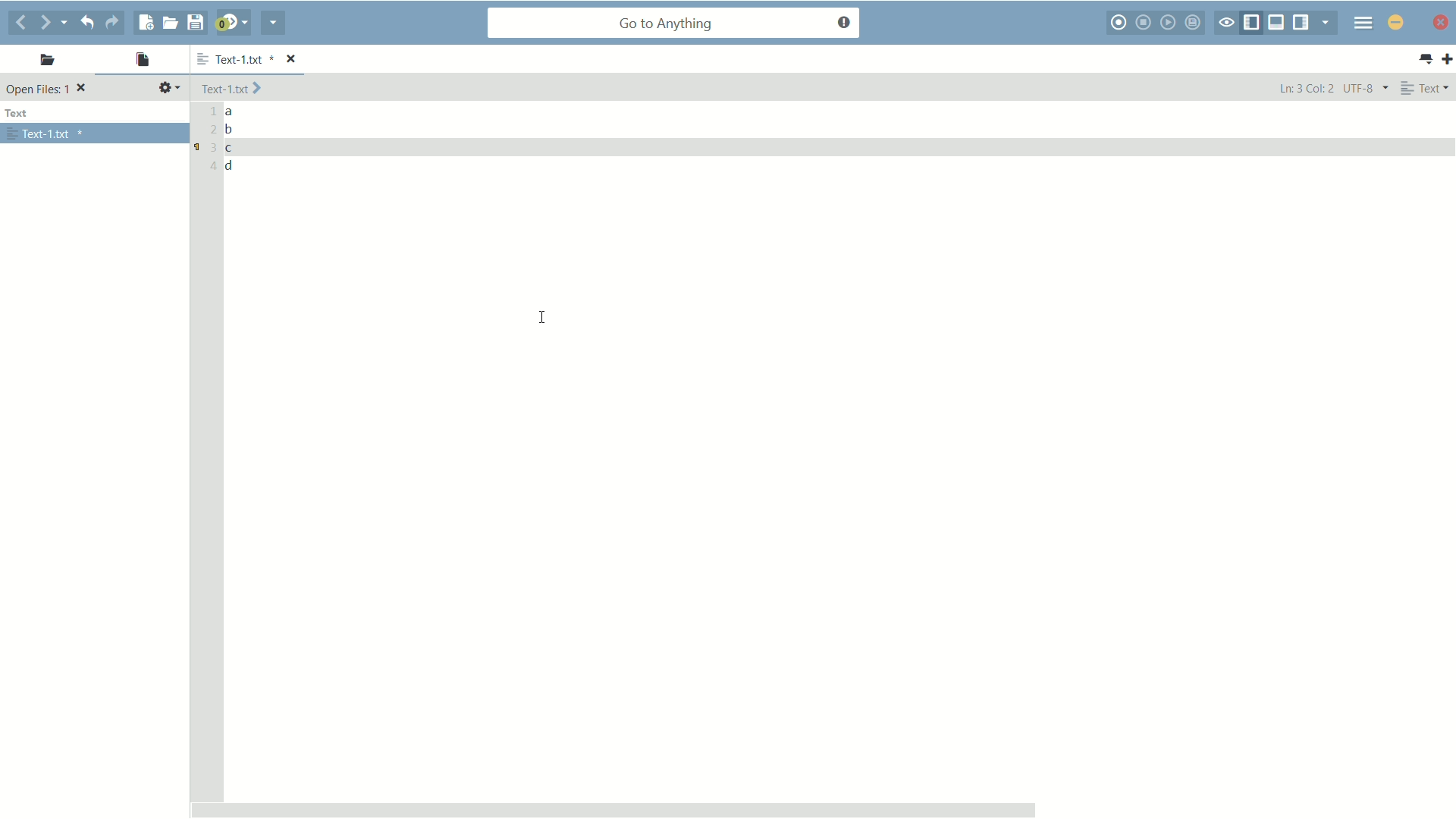 This screenshot has width=1456, height=819. Describe the element at coordinates (1361, 24) in the screenshot. I see `menu` at that location.